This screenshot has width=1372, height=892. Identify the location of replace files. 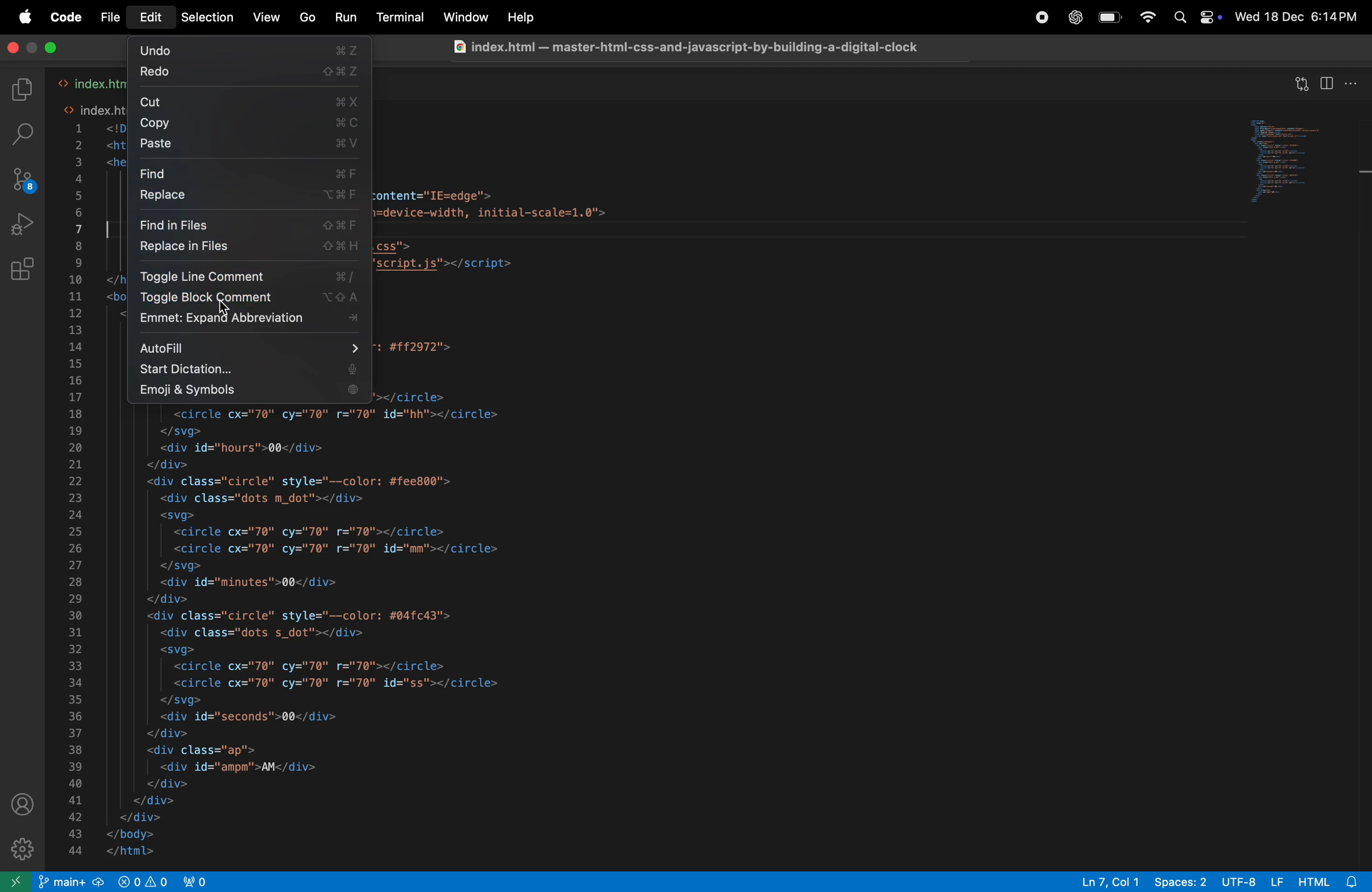
(249, 249).